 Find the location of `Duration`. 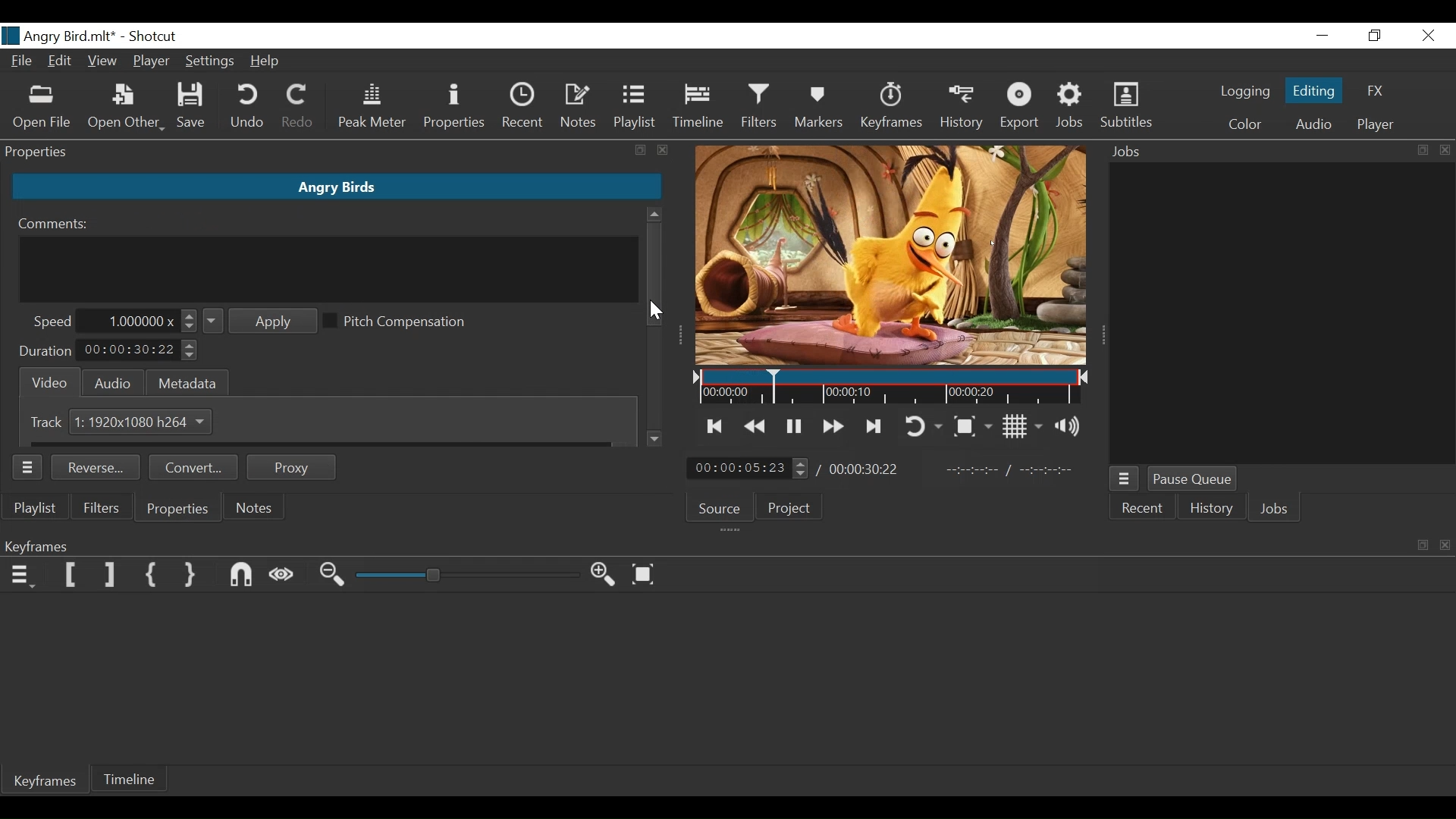

Duration is located at coordinates (47, 351).